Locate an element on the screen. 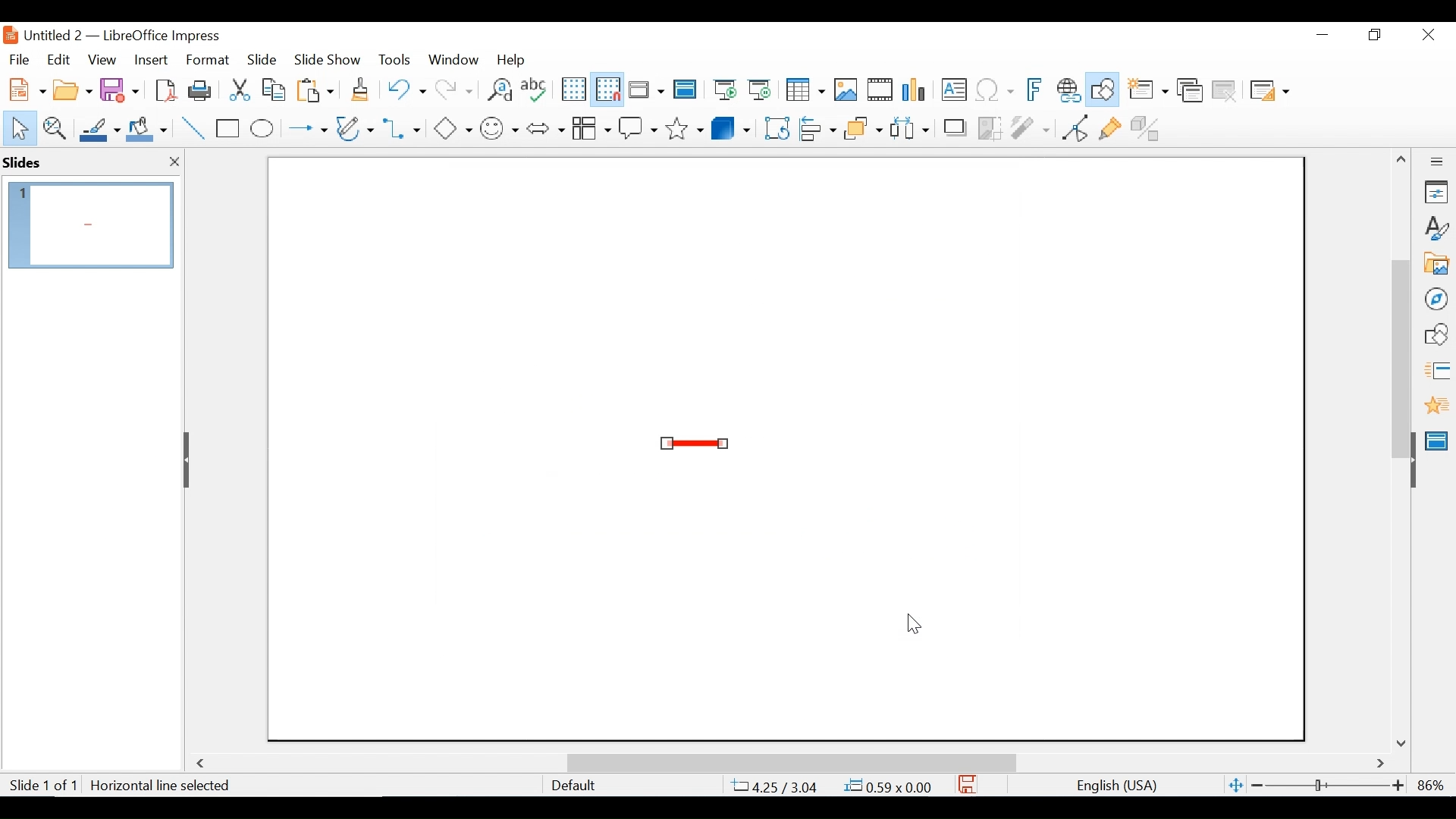  Horizontal line Selected is located at coordinates (162, 786).